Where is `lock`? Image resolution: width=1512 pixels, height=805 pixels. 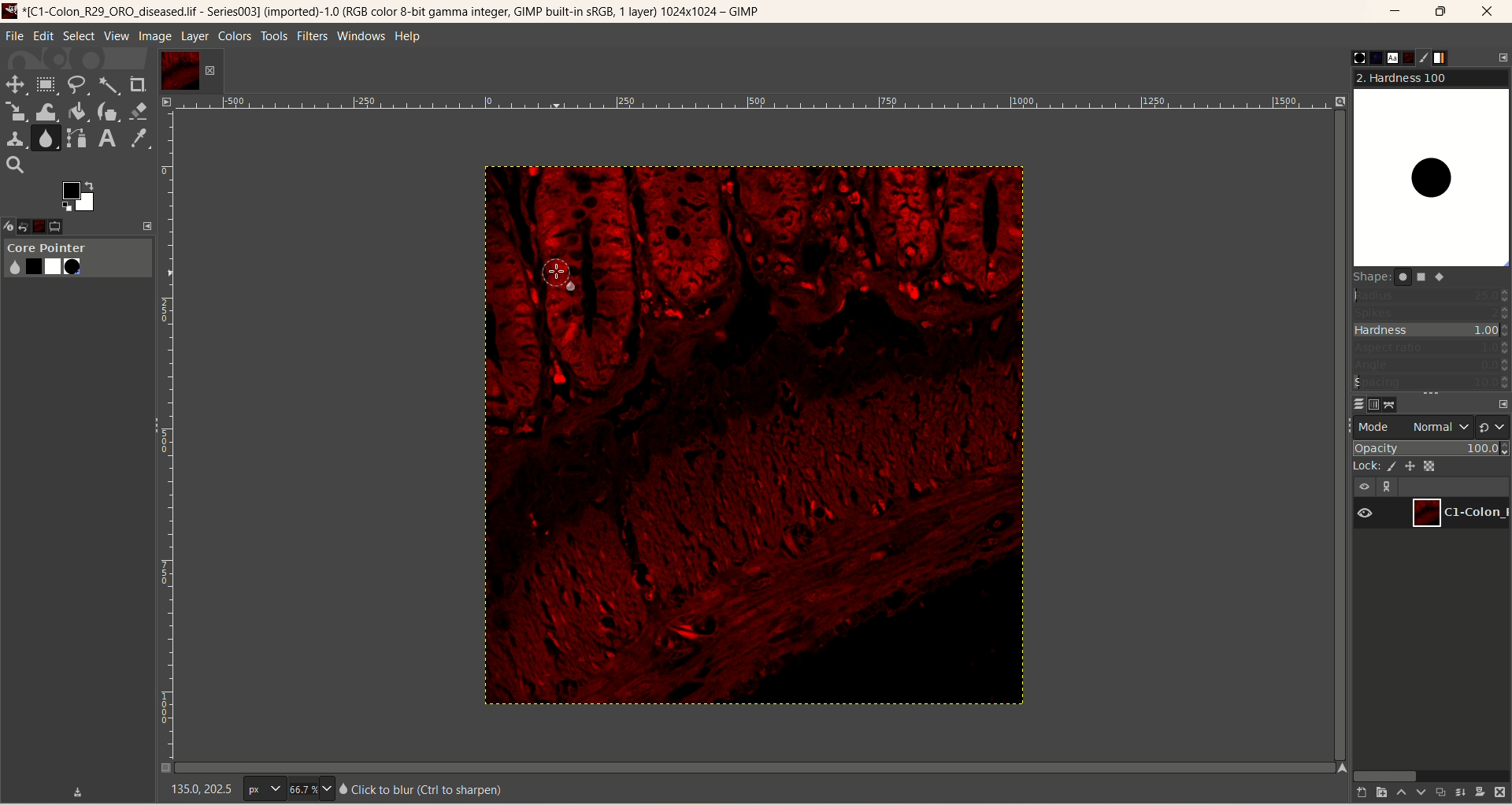 lock is located at coordinates (1365, 465).